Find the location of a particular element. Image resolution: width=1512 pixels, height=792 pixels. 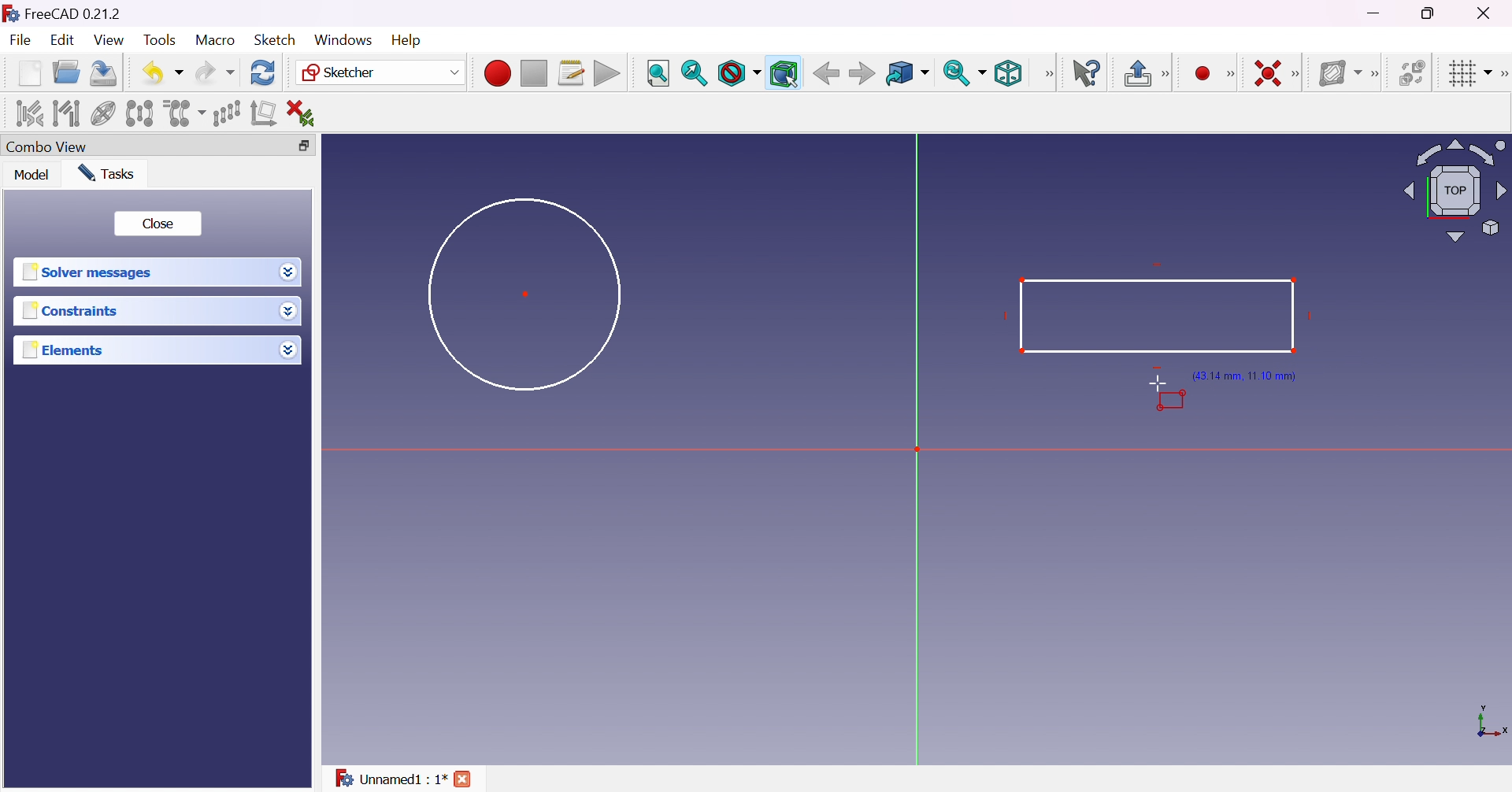

New is located at coordinates (30, 72).